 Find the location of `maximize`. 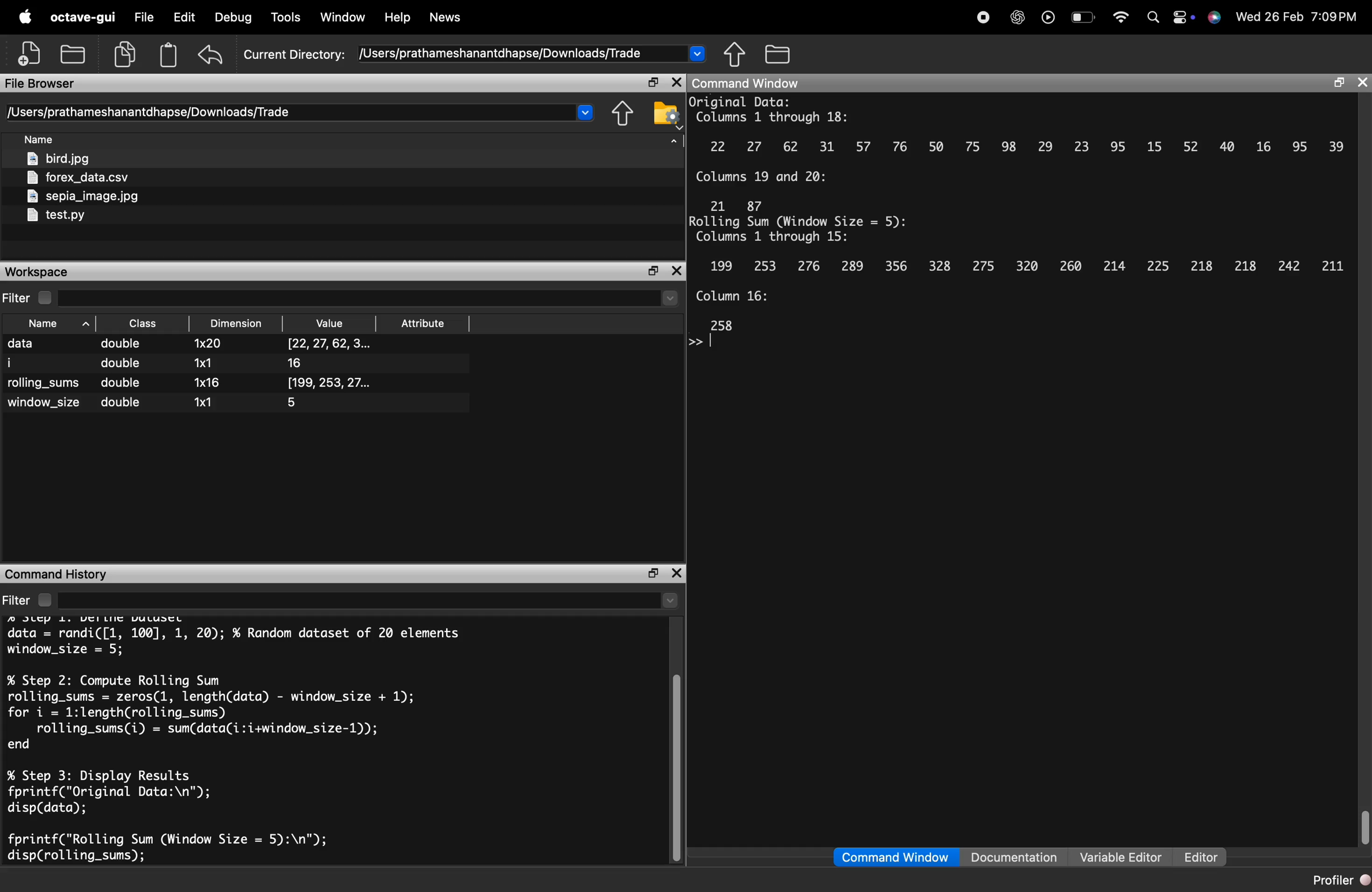

maximize is located at coordinates (651, 574).